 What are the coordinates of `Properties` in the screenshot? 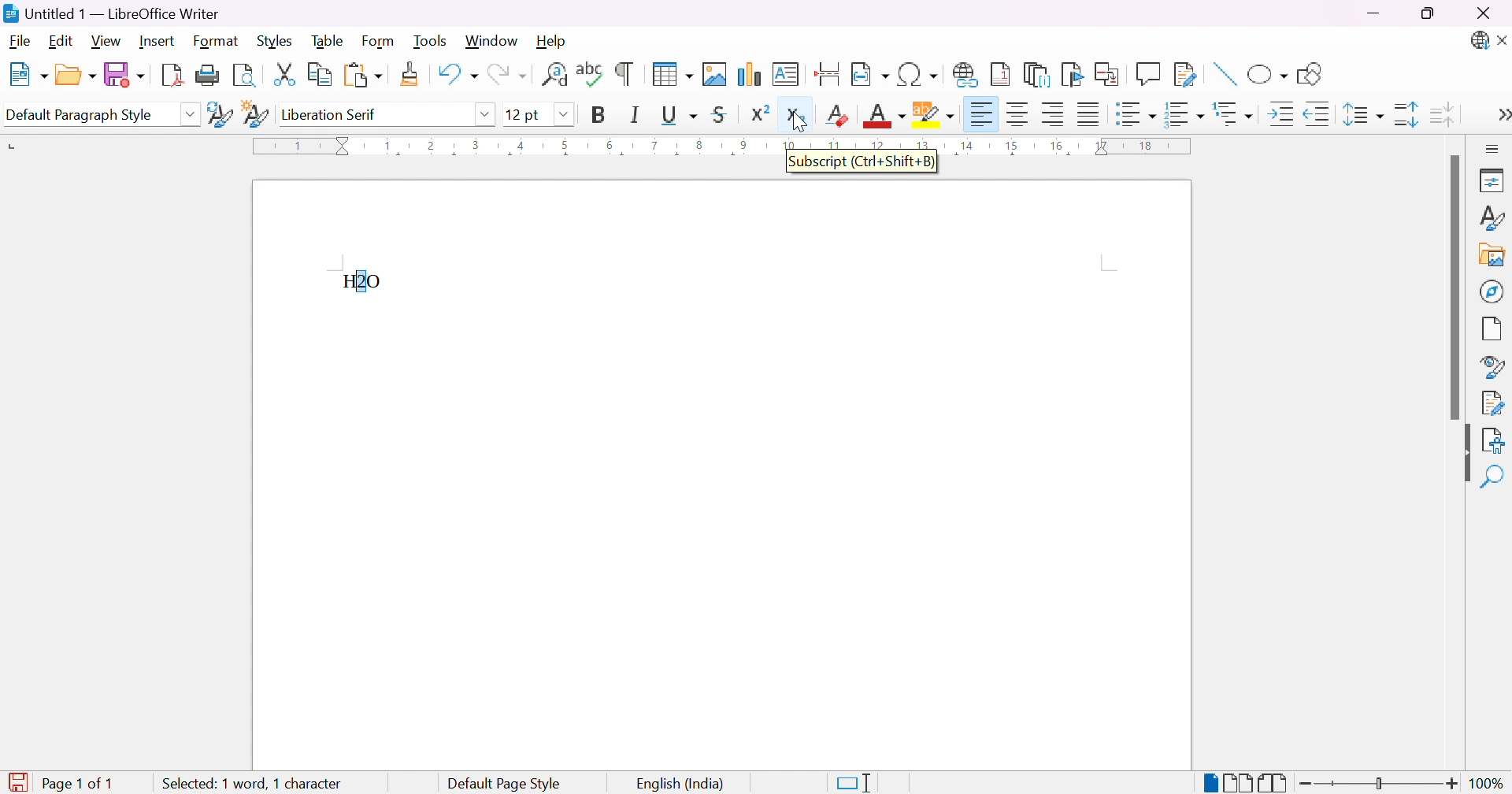 It's located at (1494, 180).